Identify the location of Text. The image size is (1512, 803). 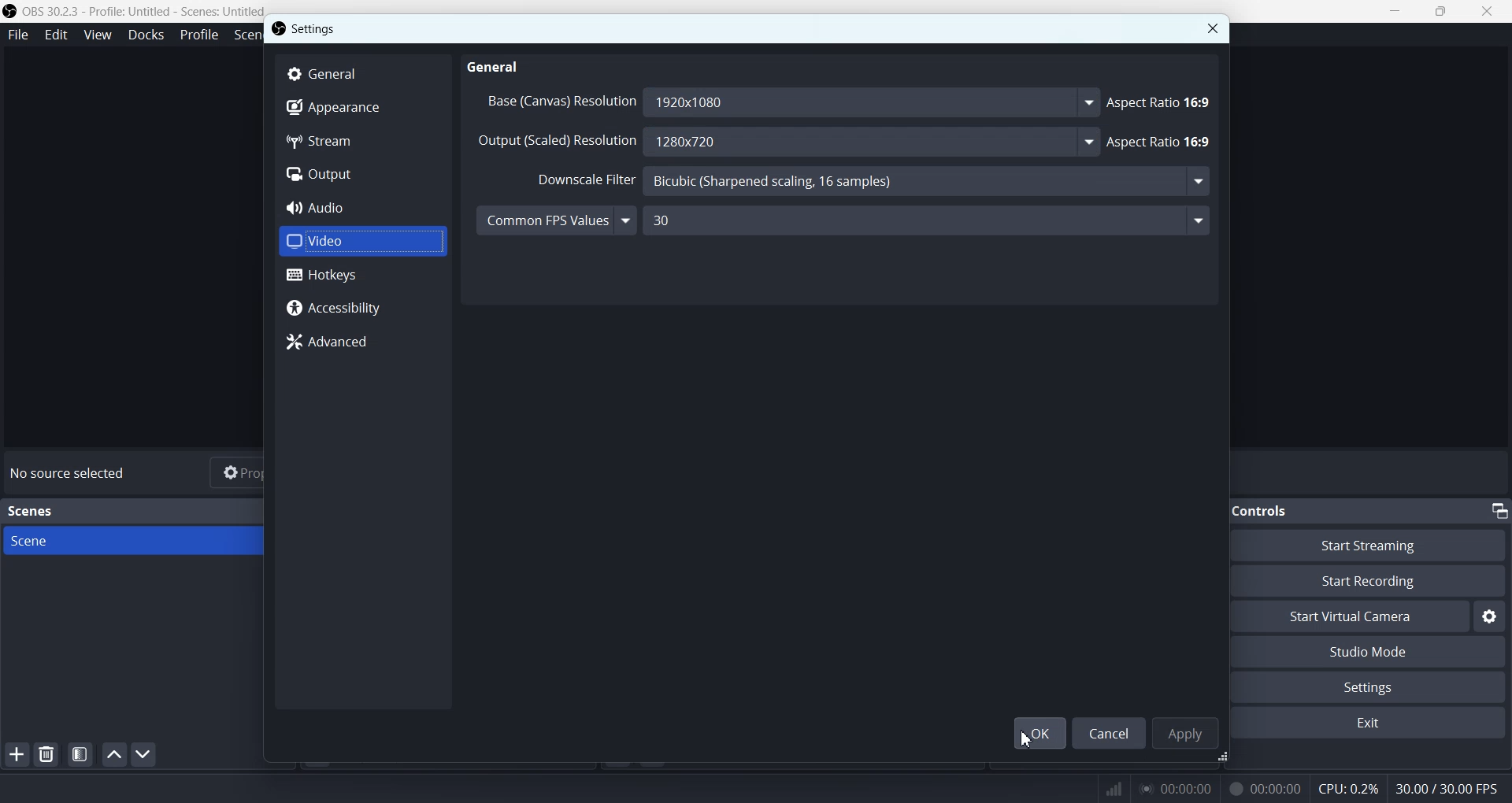
(1451, 785).